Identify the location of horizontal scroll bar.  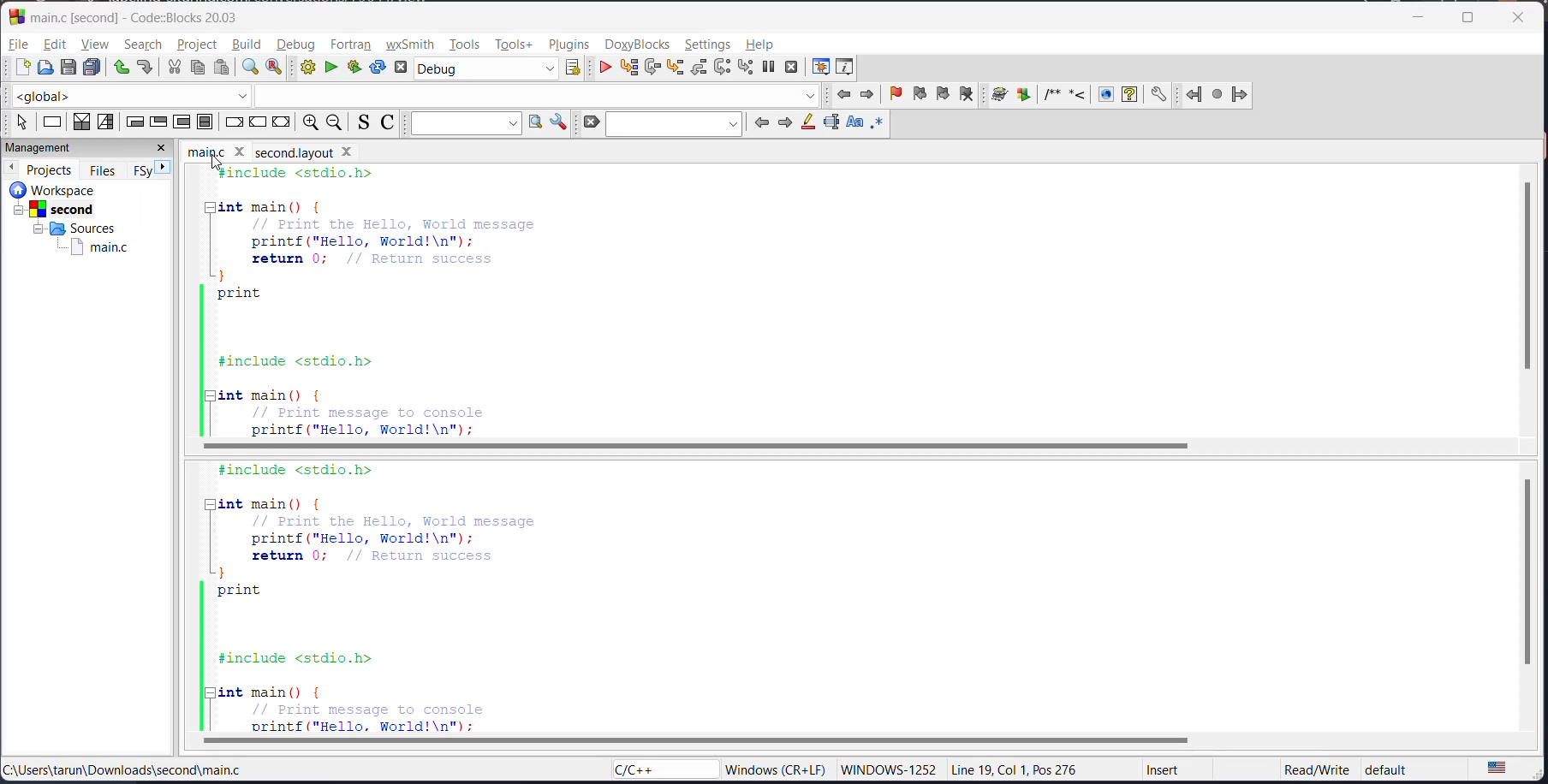
(692, 446).